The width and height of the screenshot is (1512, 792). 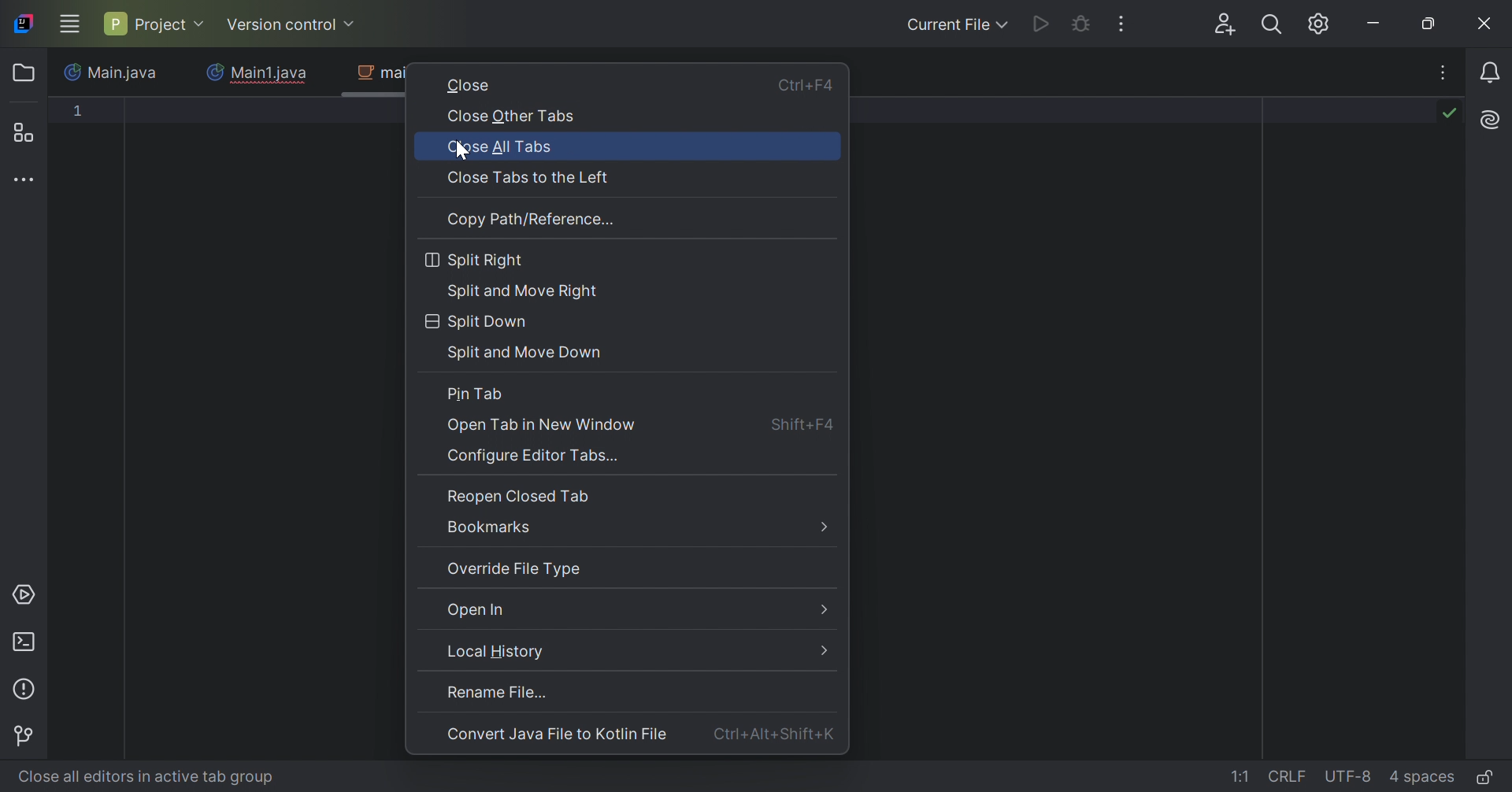 What do you see at coordinates (528, 293) in the screenshot?
I see `Split and Move Right` at bounding box center [528, 293].